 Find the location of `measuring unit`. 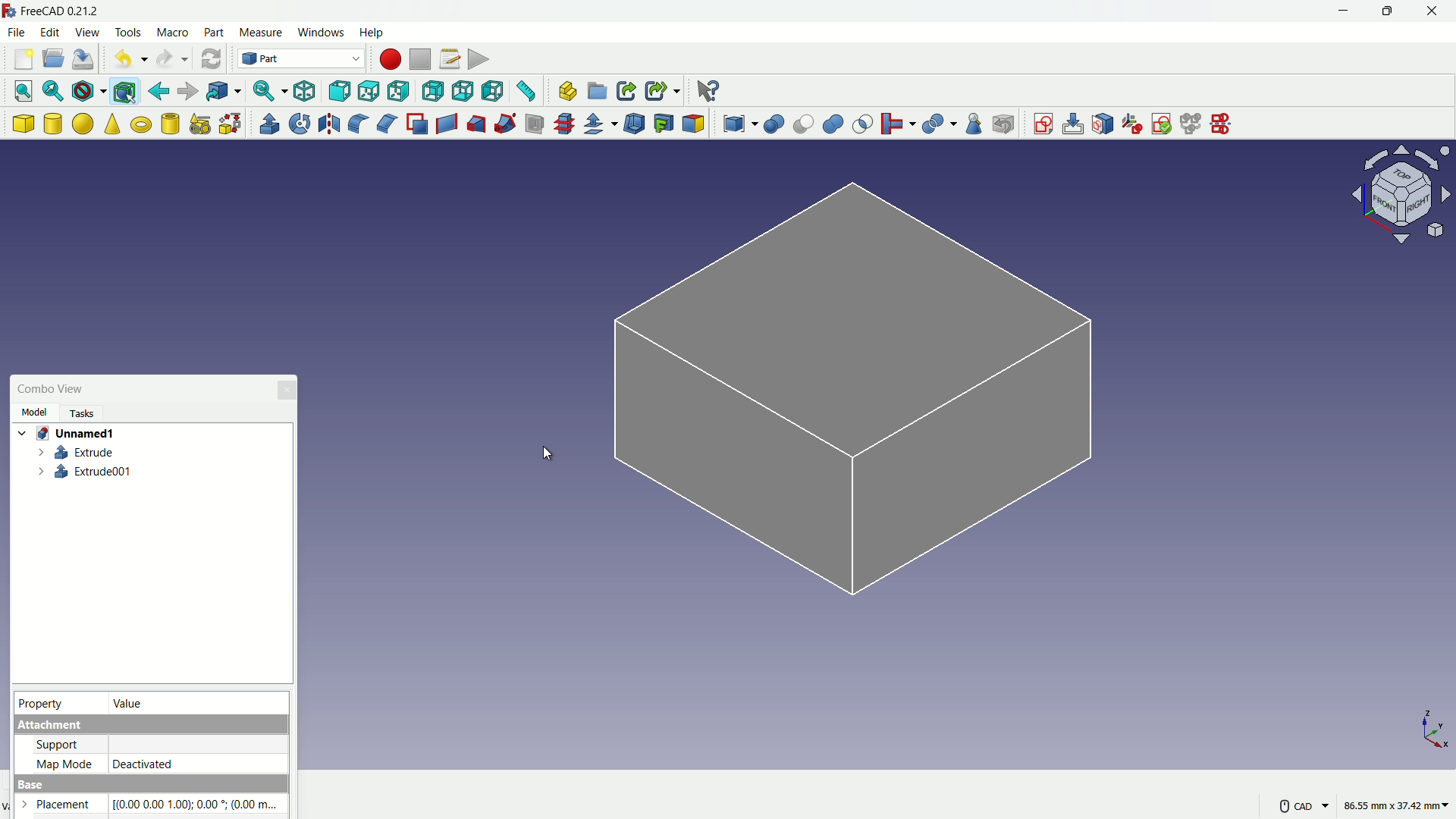

measuring unit is located at coordinates (1397, 805).